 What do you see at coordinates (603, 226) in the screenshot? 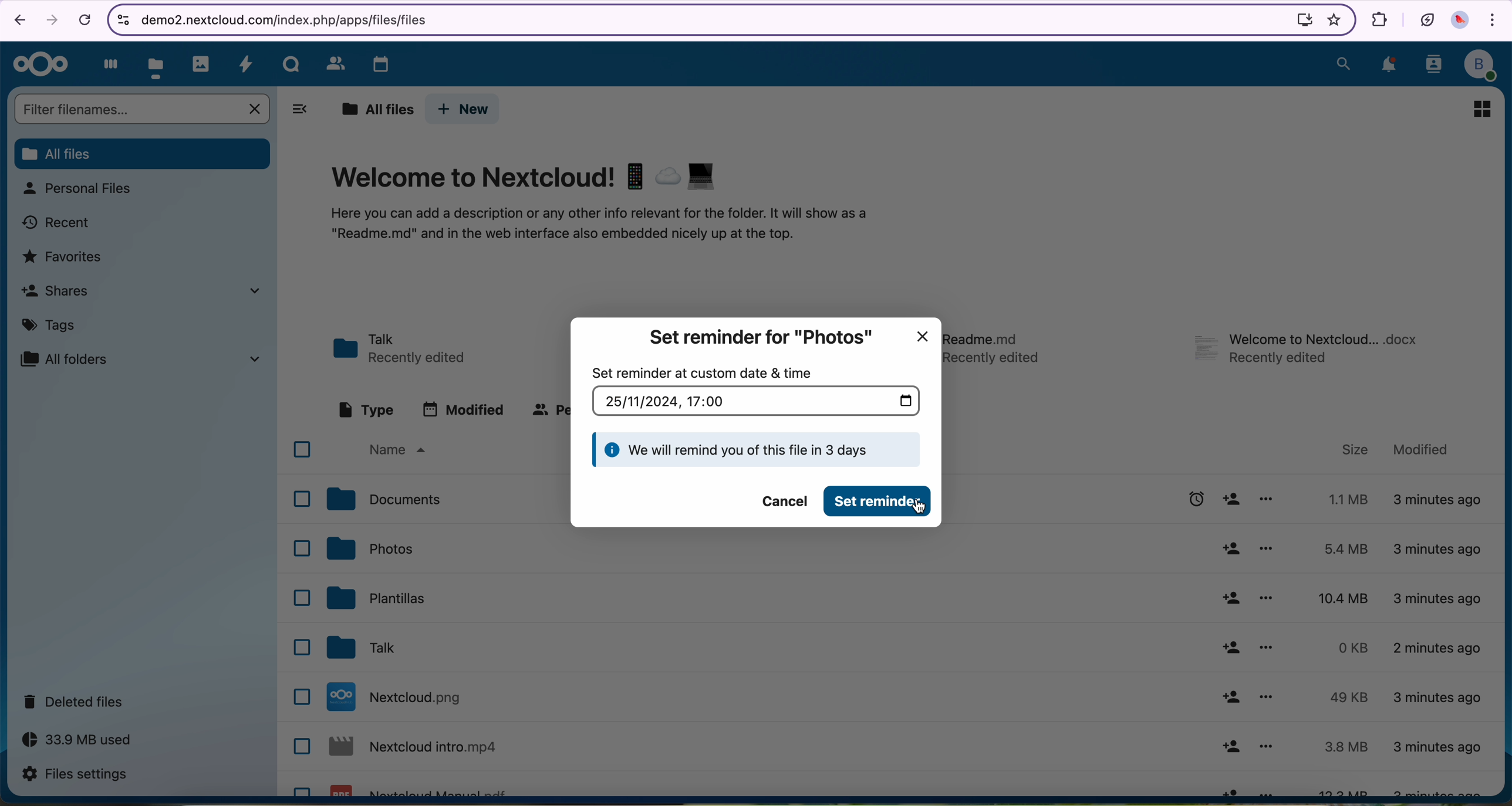
I see `description of the page` at bounding box center [603, 226].